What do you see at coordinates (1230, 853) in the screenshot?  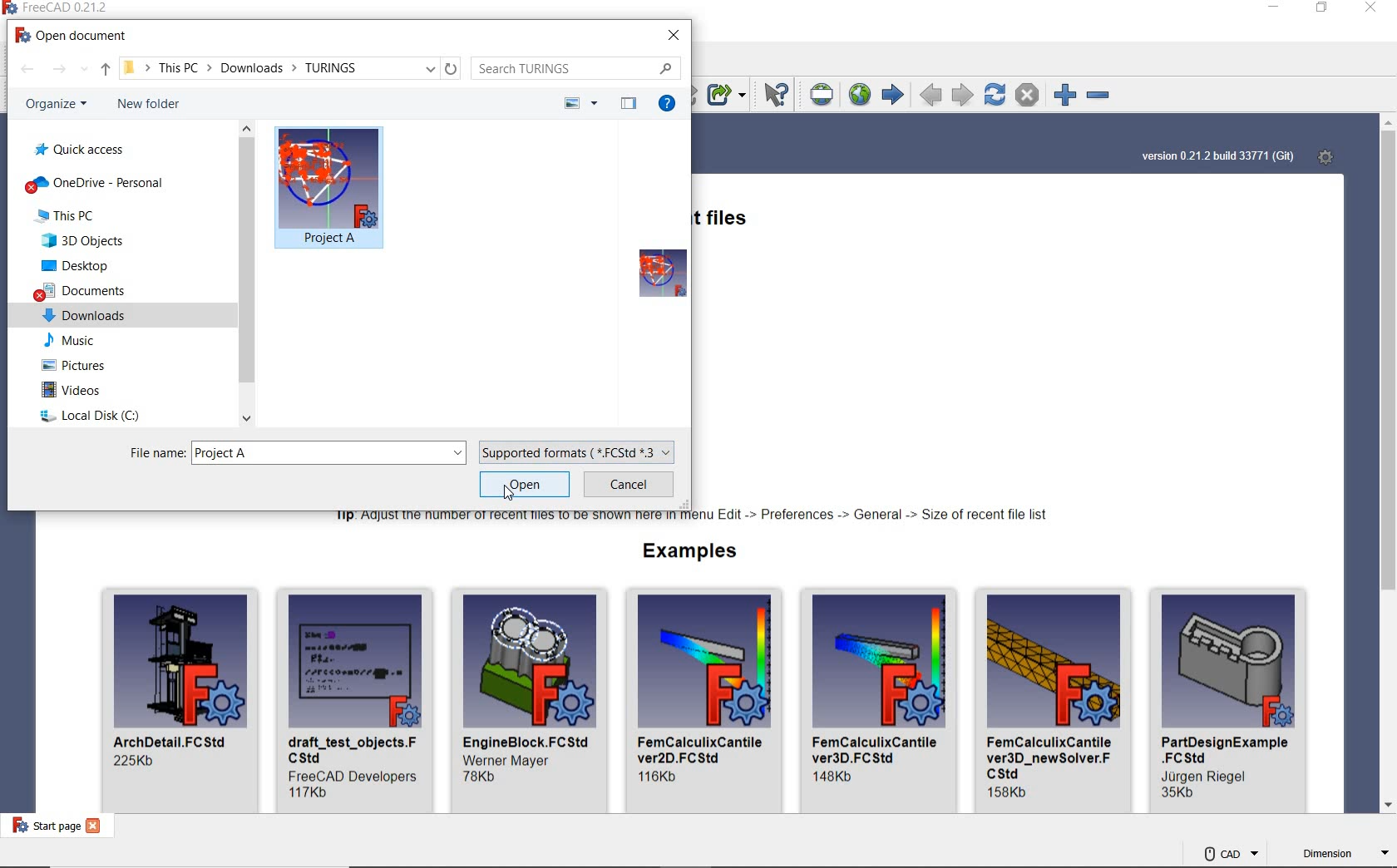 I see `CAD NAVIGATION STYLE` at bounding box center [1230, 853].